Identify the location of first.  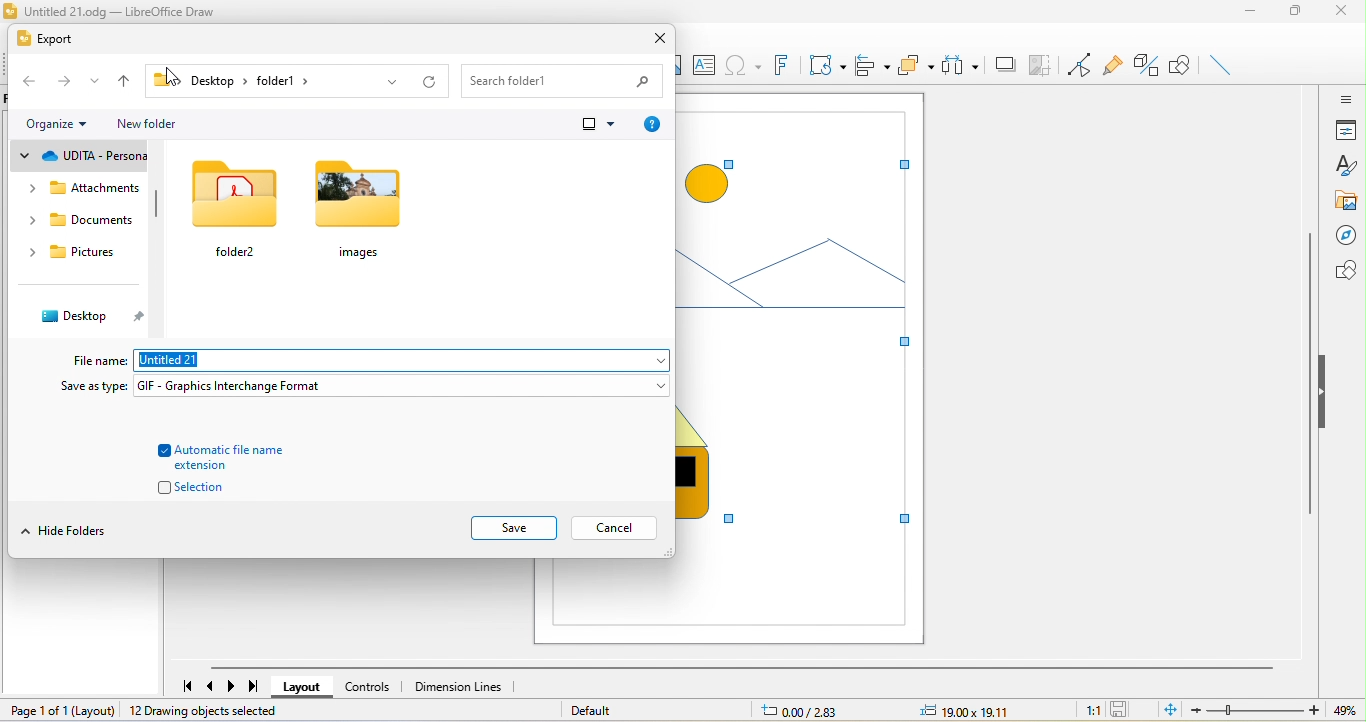
(182, 682).